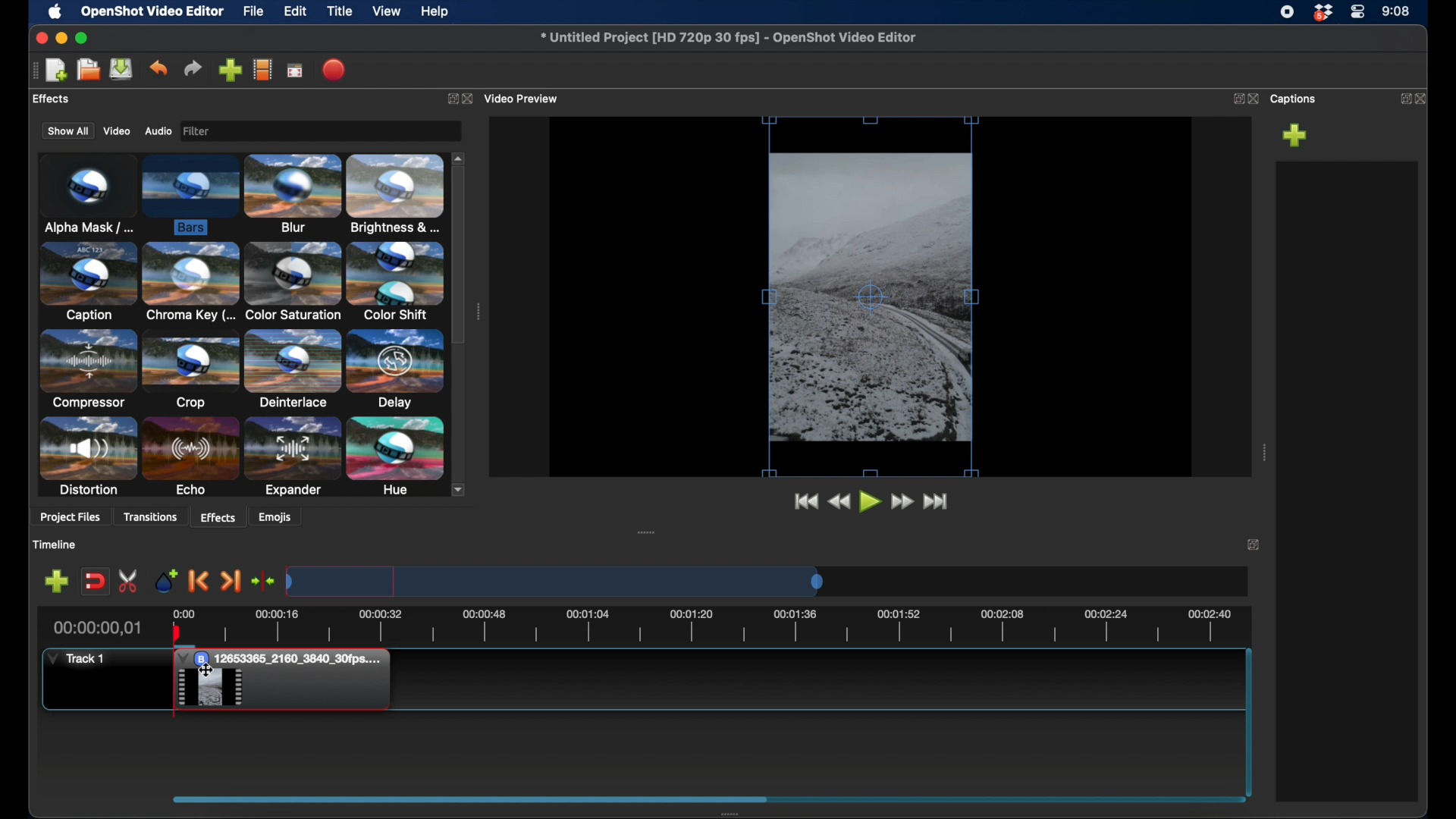 This screenshot has width=1456, height=819. Describe the element at coordinates (868, 296) in the screenshot. I see `video preview` at that location.